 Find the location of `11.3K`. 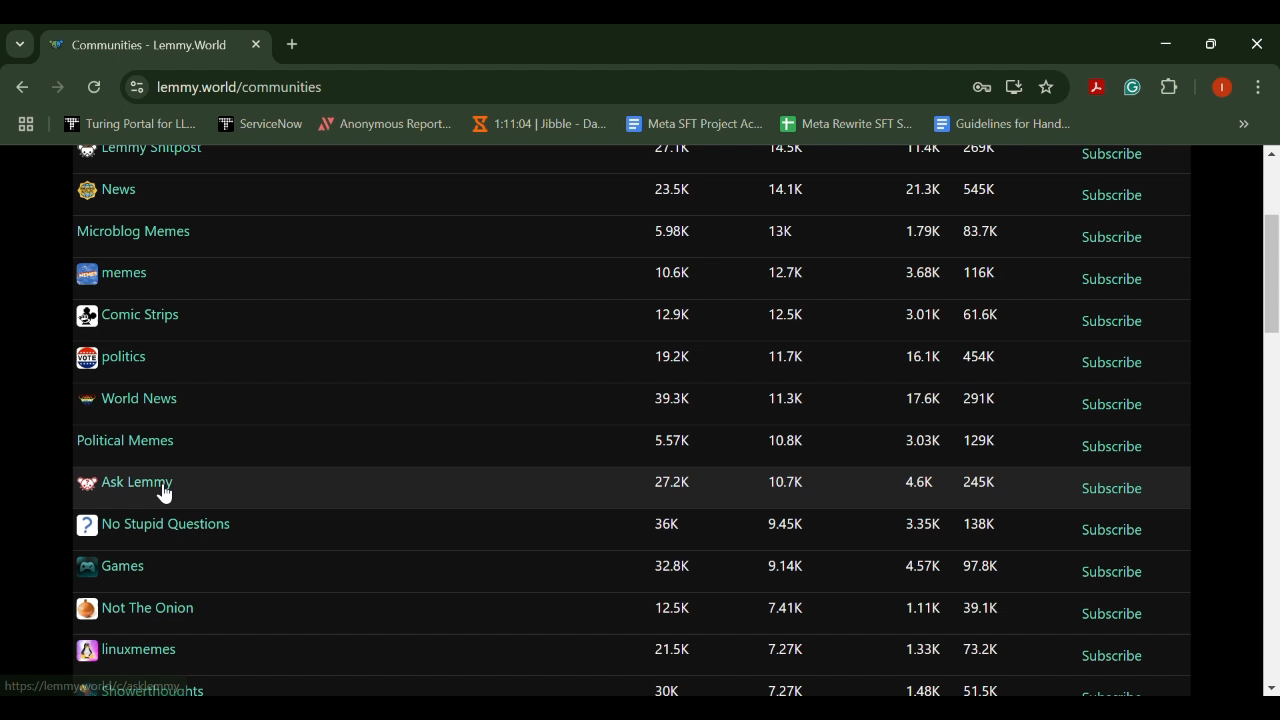

11.3K is located at coordinates (786, 399).